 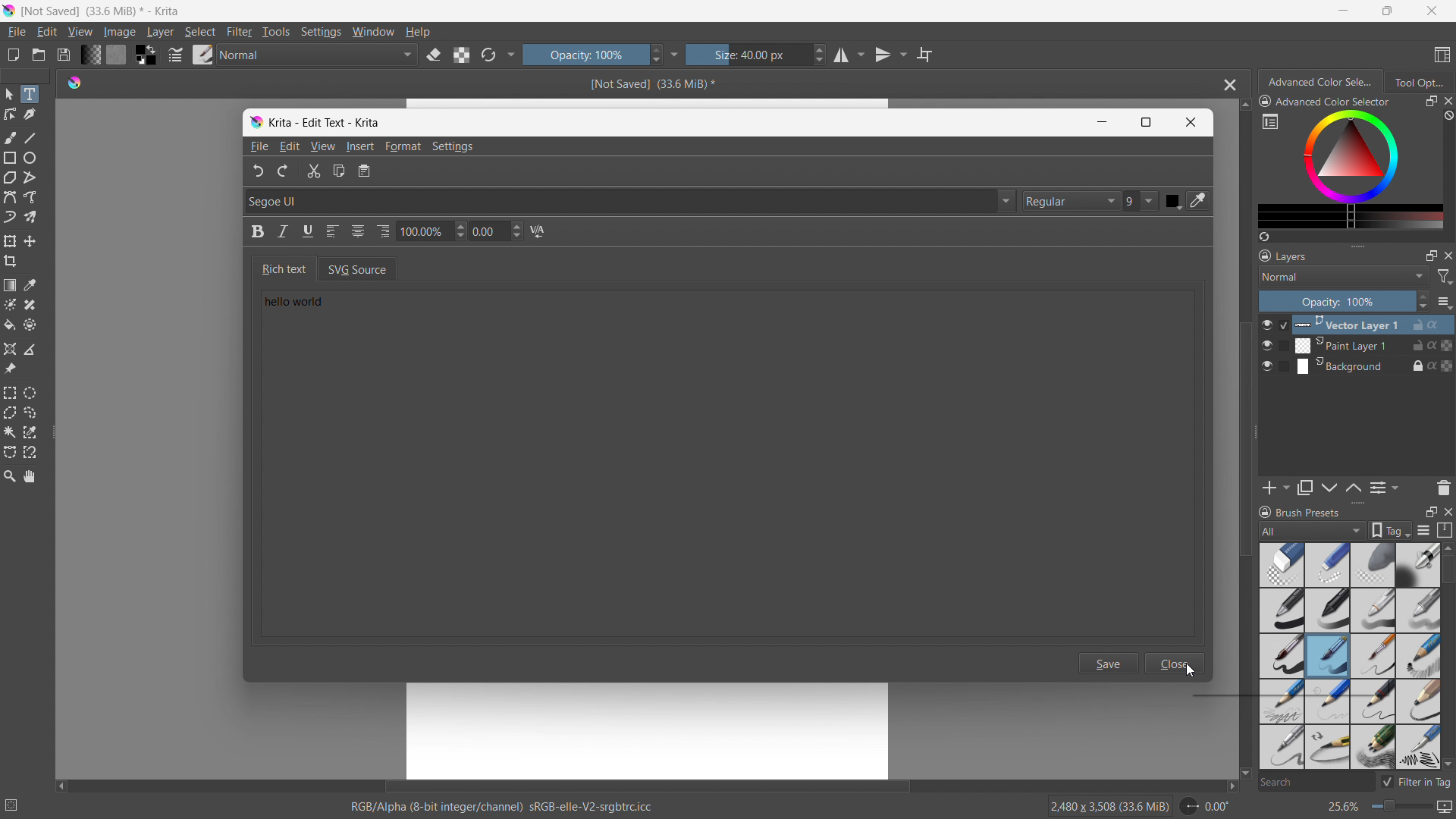 What do you see at coordinates (756, 55) in the screenshot?
I see `size` at bounding box center [756, 55].